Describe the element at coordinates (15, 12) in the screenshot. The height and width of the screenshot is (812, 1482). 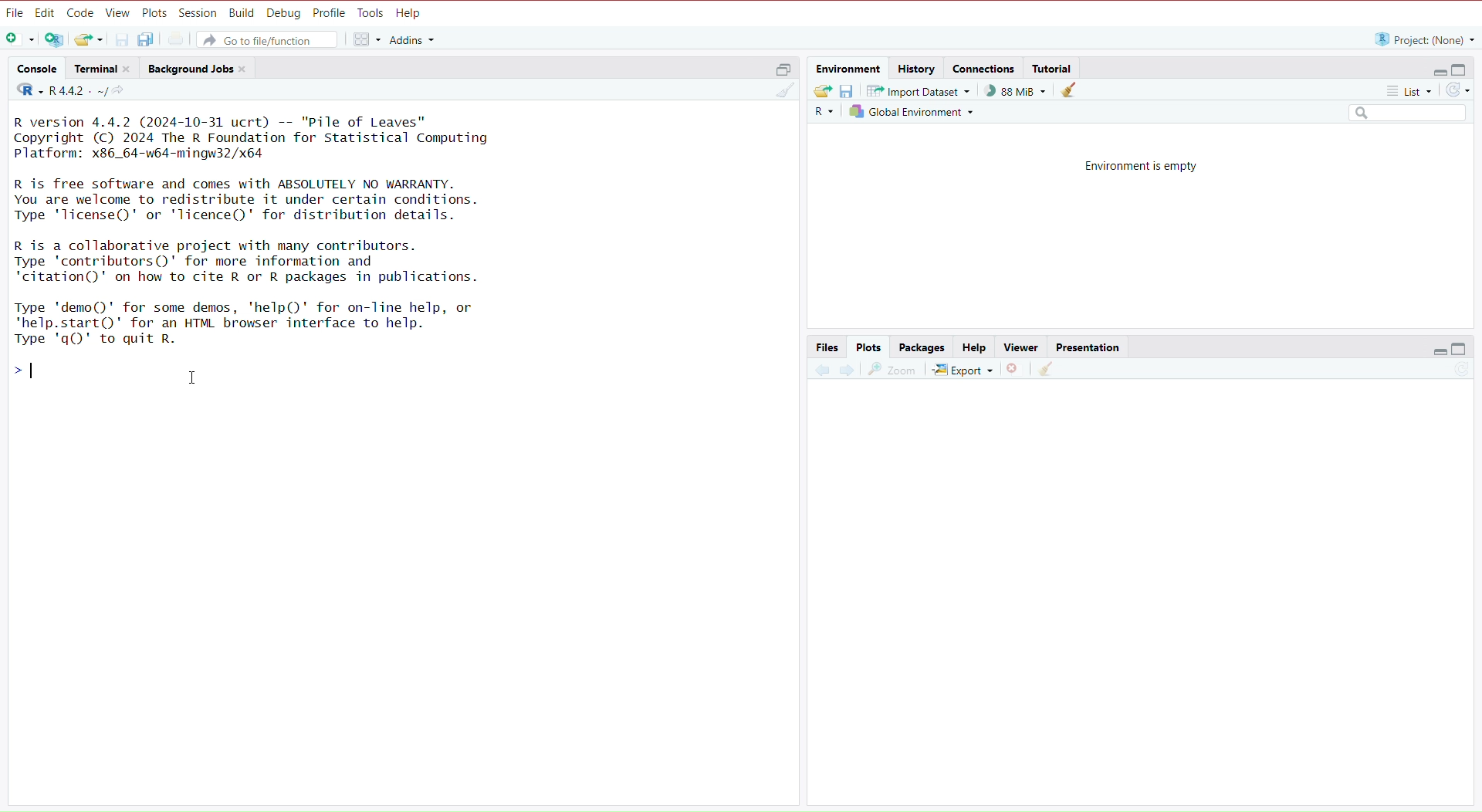
I see `File` at that location.